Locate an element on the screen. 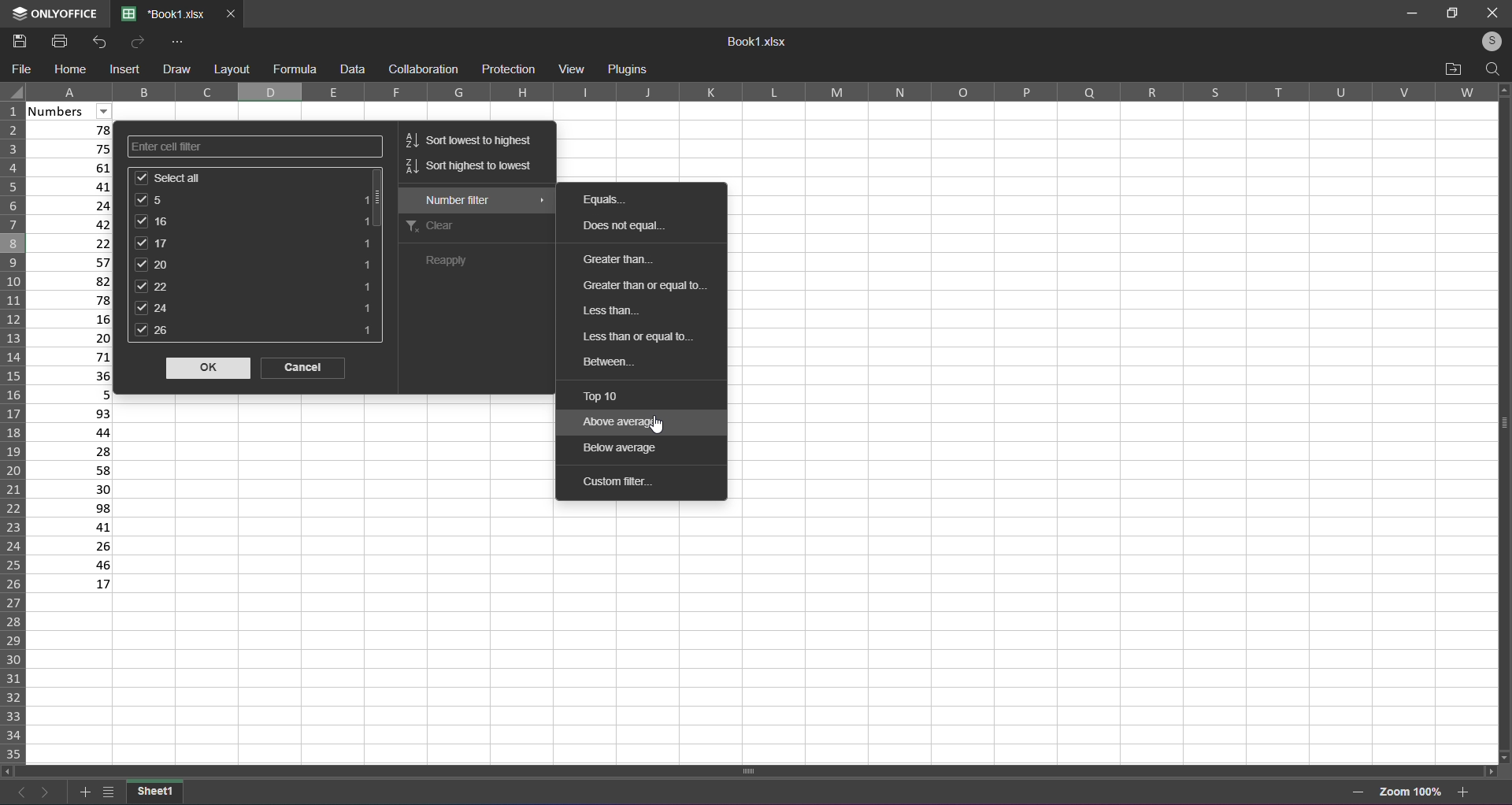  search is located at coordinates (1492, 69).